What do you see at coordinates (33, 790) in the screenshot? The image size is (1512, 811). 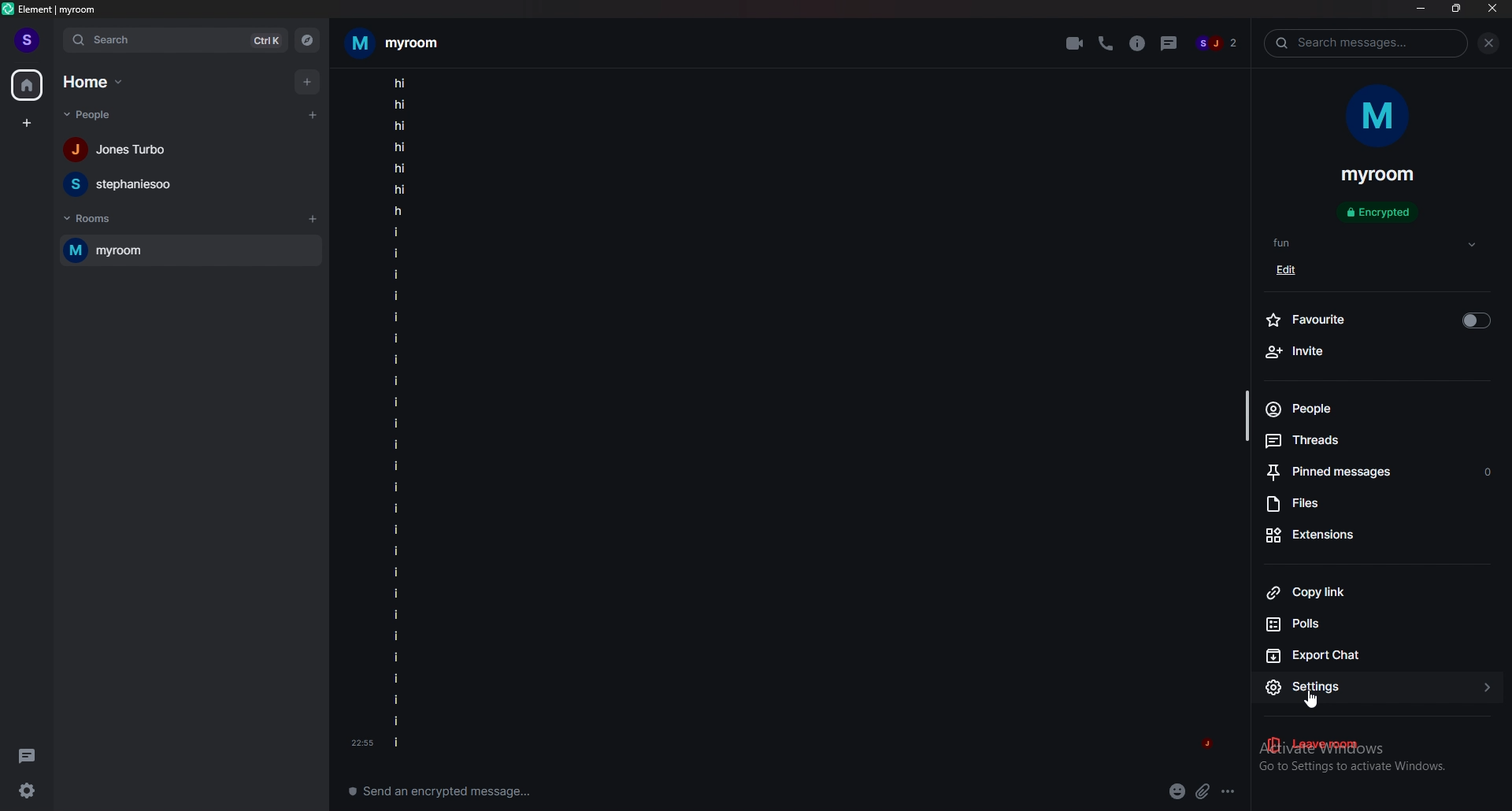 I see `settings` at bounding box center [33, 790].